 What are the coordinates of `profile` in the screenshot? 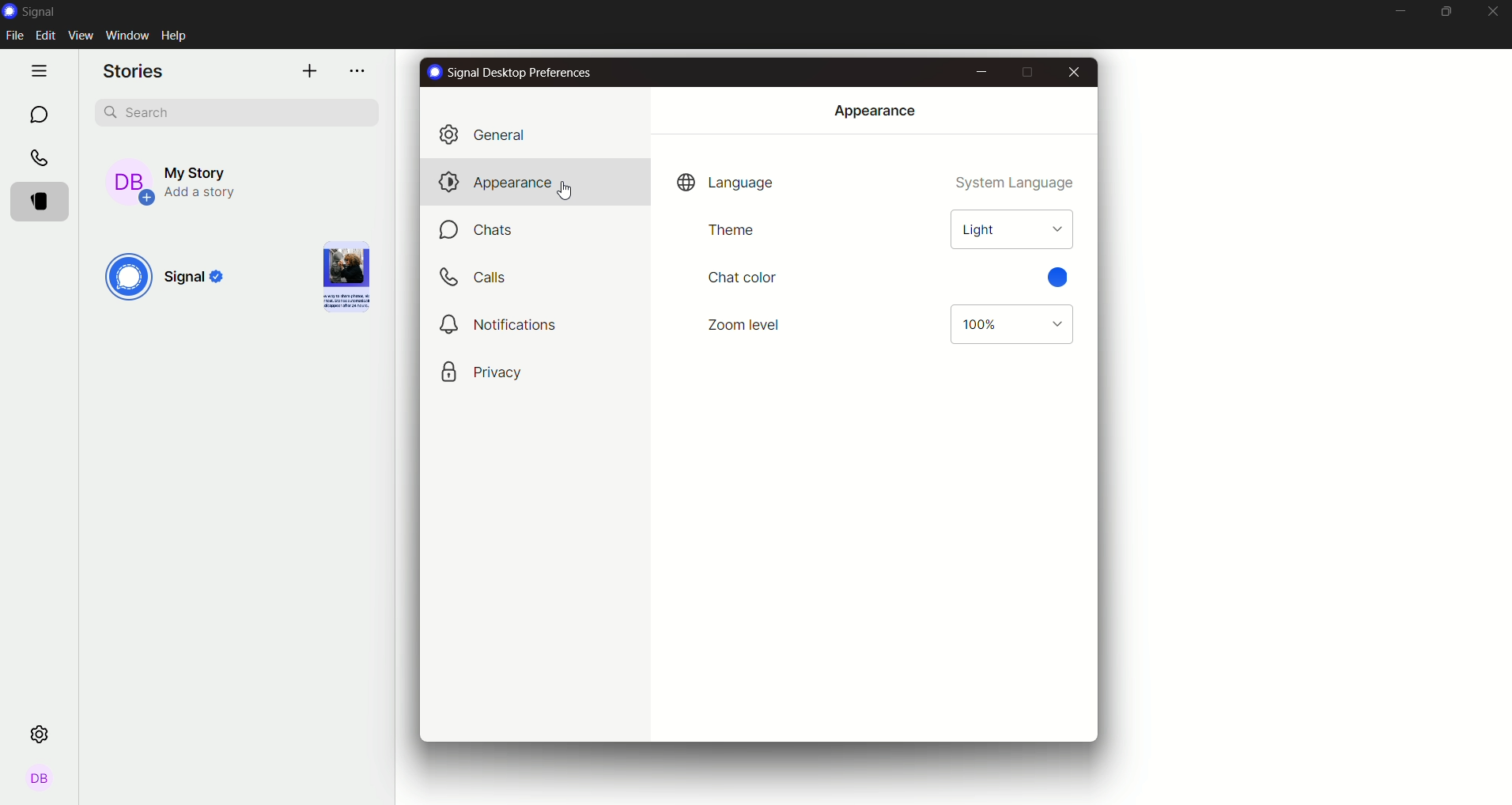 It's located at (40, 780).